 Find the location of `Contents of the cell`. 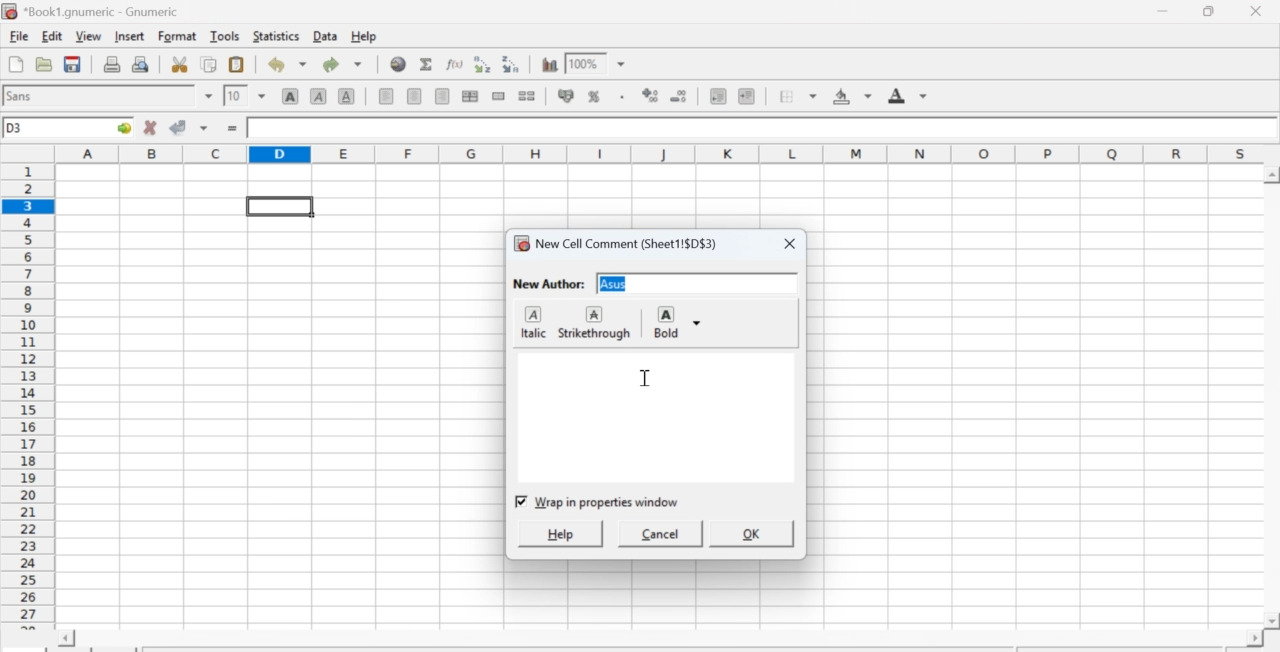

Contents of the cell is located at coordinates (754, 128).